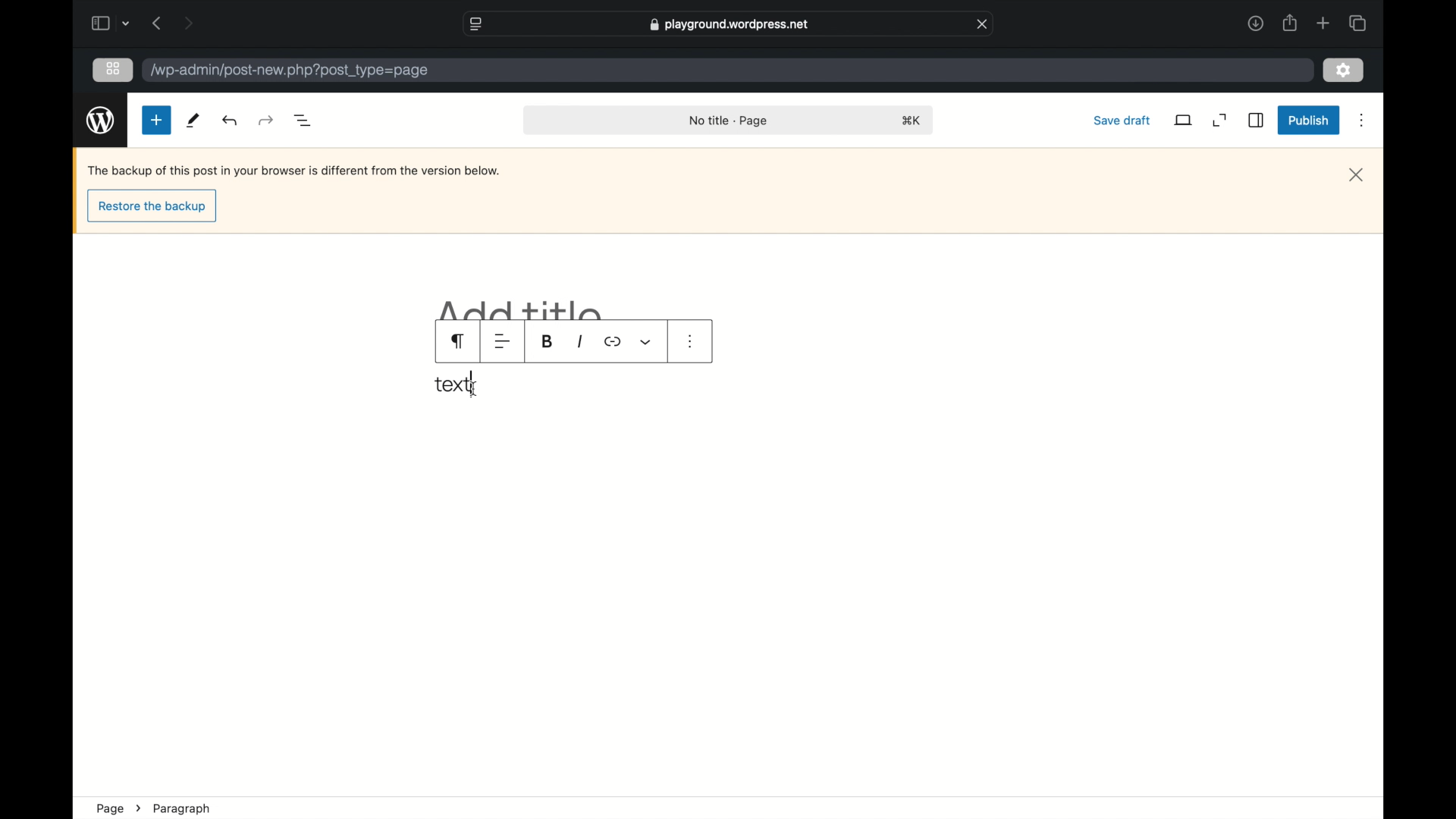 The width and height of the screenshot is (1456, 819). Describe the element at coordinates (1220, 121) in the screenshot. I see `expand` at that location.